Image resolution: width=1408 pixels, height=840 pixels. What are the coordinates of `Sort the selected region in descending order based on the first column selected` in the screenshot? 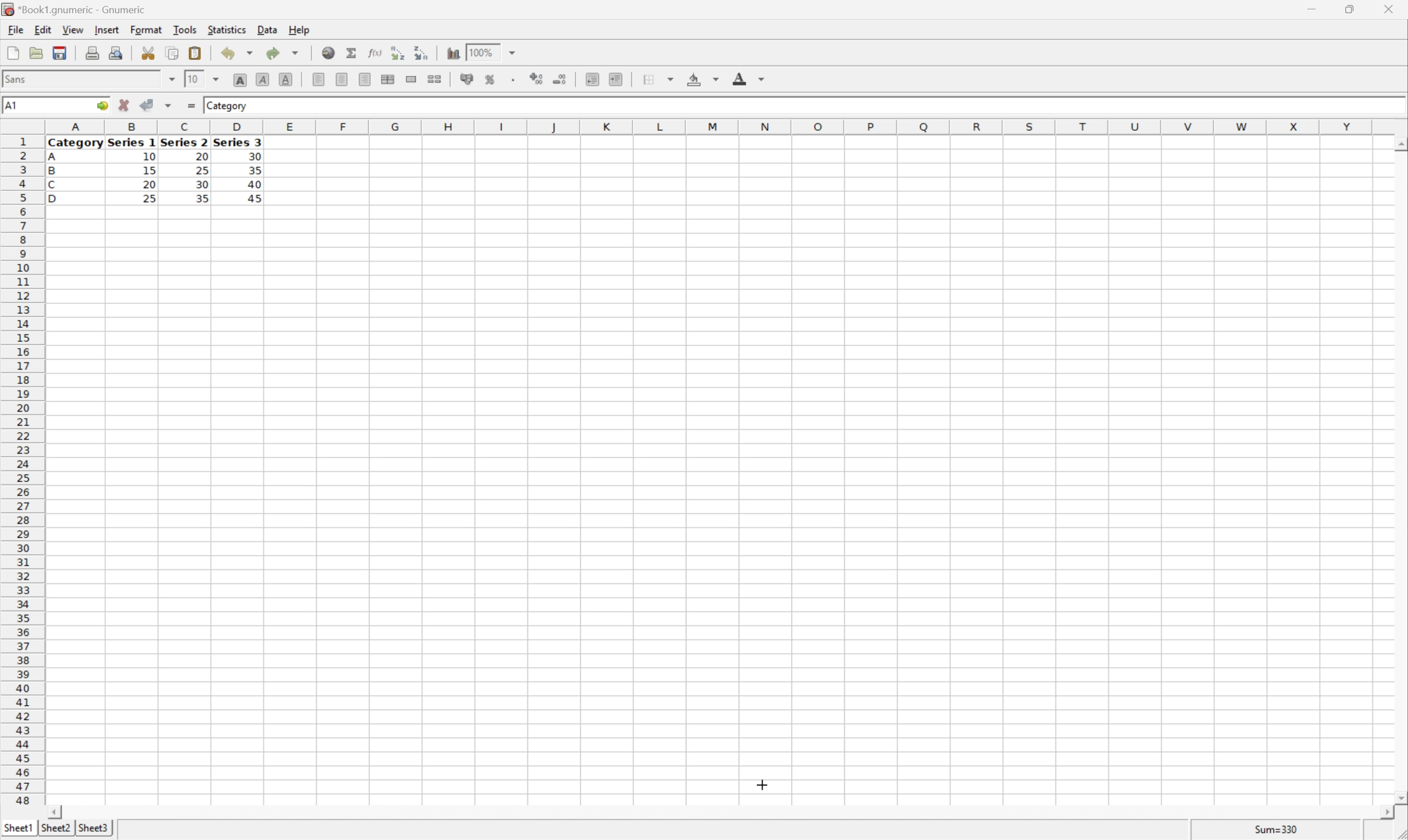 It's located at (418, 53).